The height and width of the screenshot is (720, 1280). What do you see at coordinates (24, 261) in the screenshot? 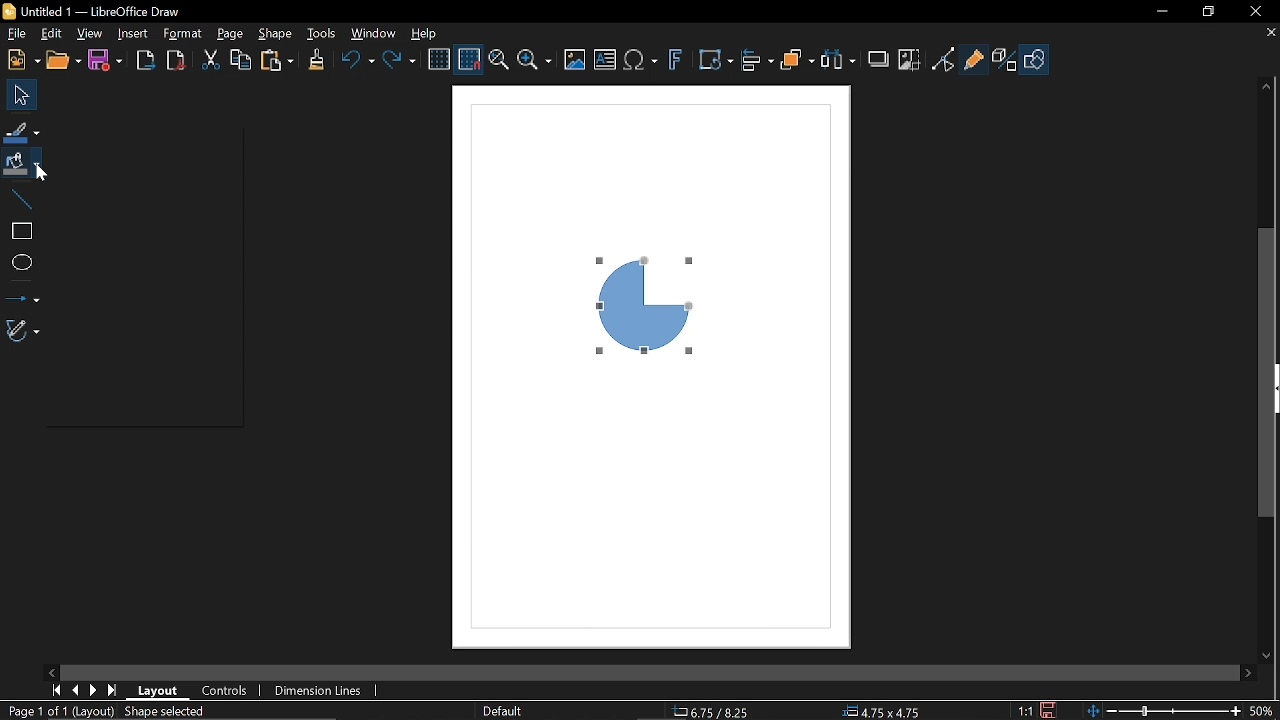
I see `Ellipse` at bounding box center [24, 261].